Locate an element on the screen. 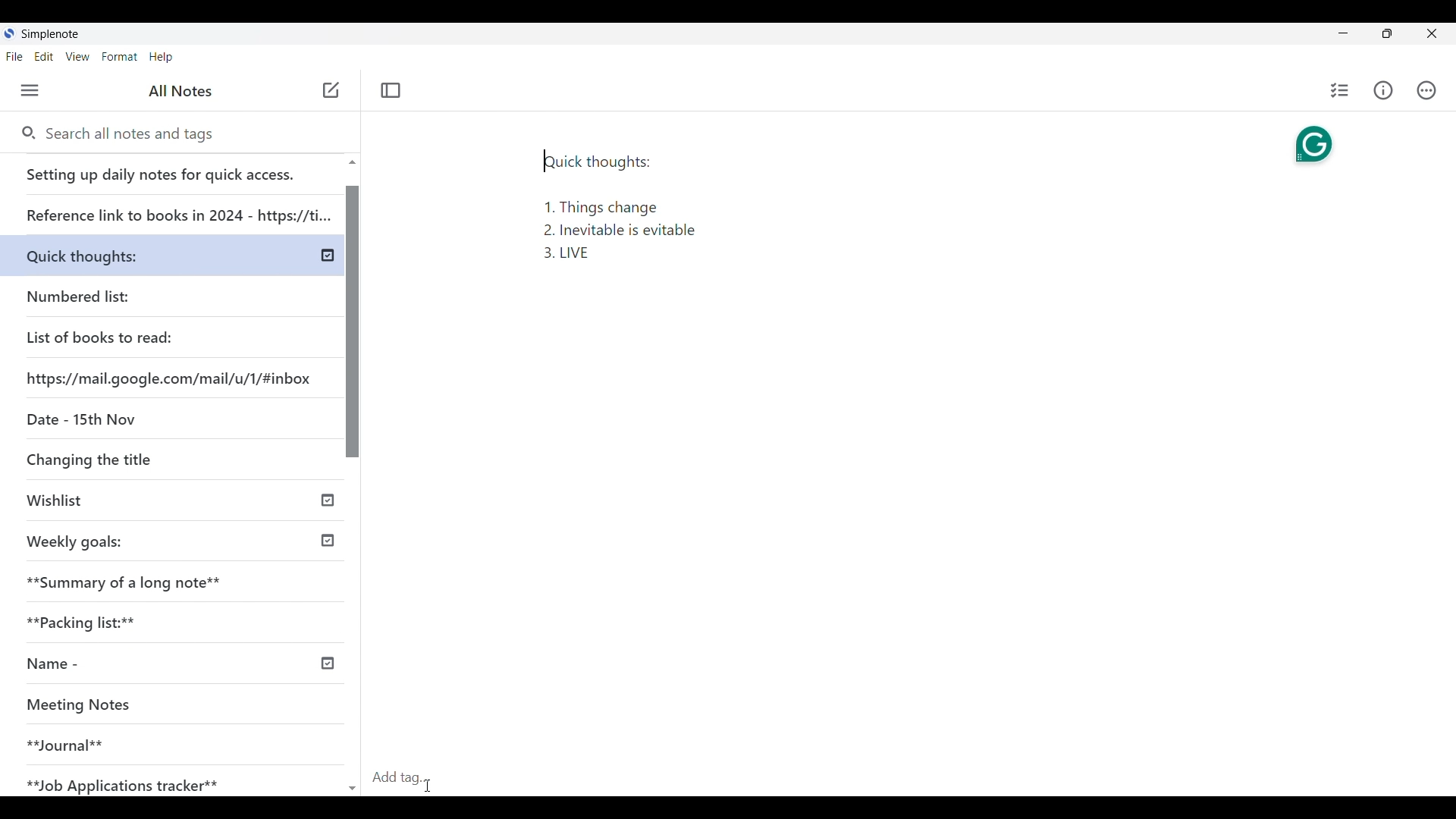  published is located at coordinates (328, 256).